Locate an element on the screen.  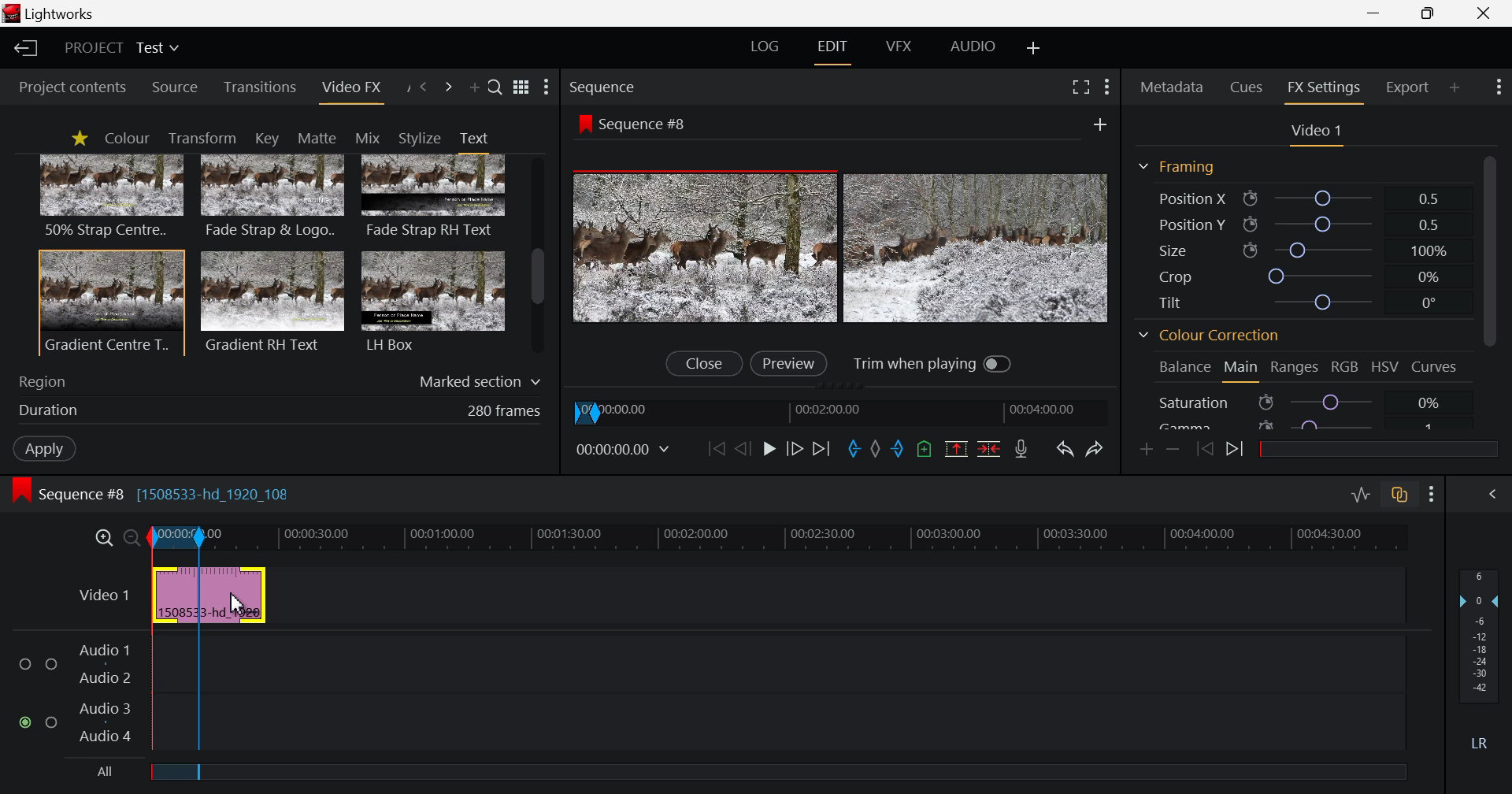
Transitions is located at coordinates (261, 87).